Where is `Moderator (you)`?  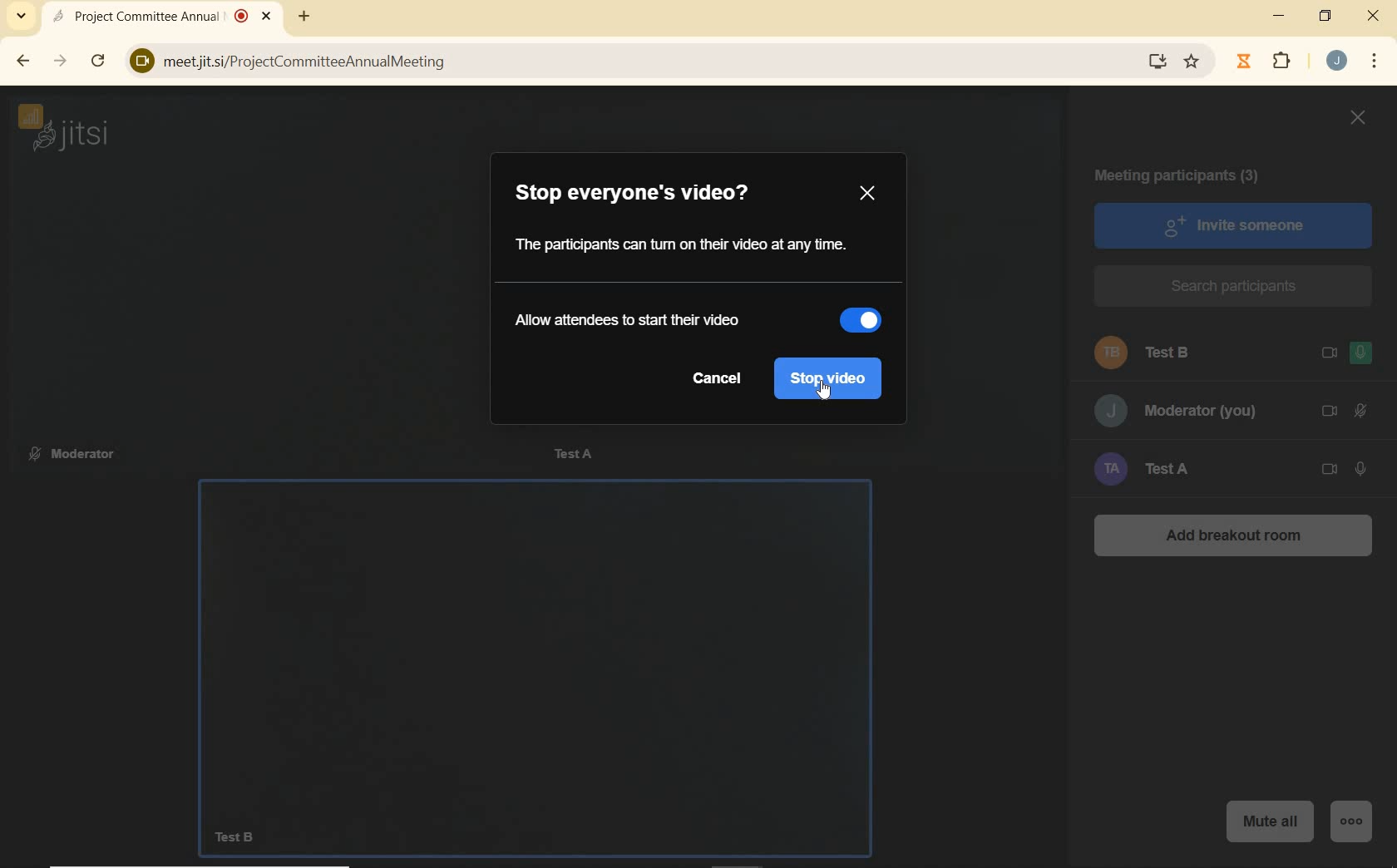 Moderator (you) is located at coordinates (1179, 411).